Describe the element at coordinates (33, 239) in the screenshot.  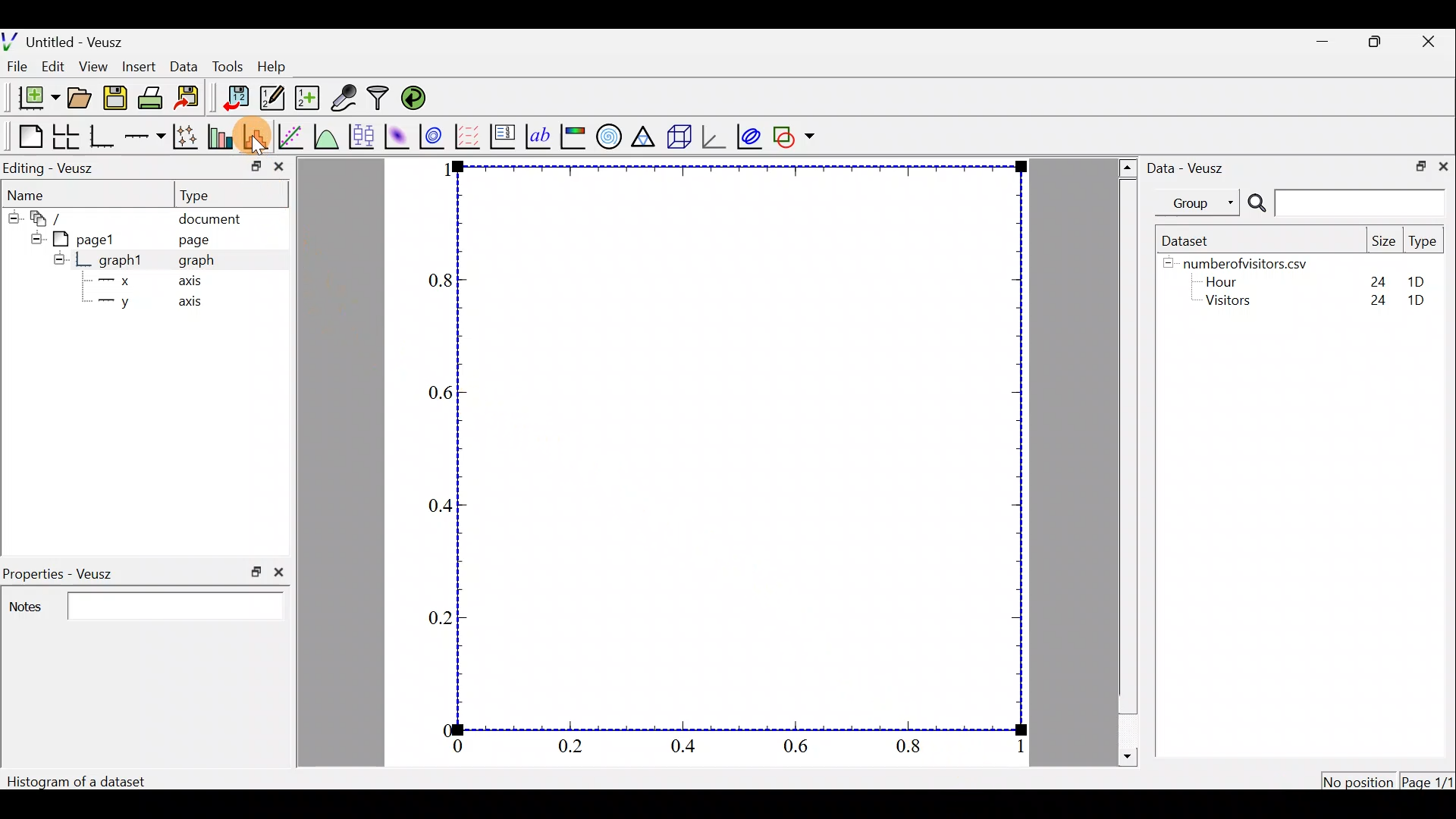
I see `hide sub menu` at that location.